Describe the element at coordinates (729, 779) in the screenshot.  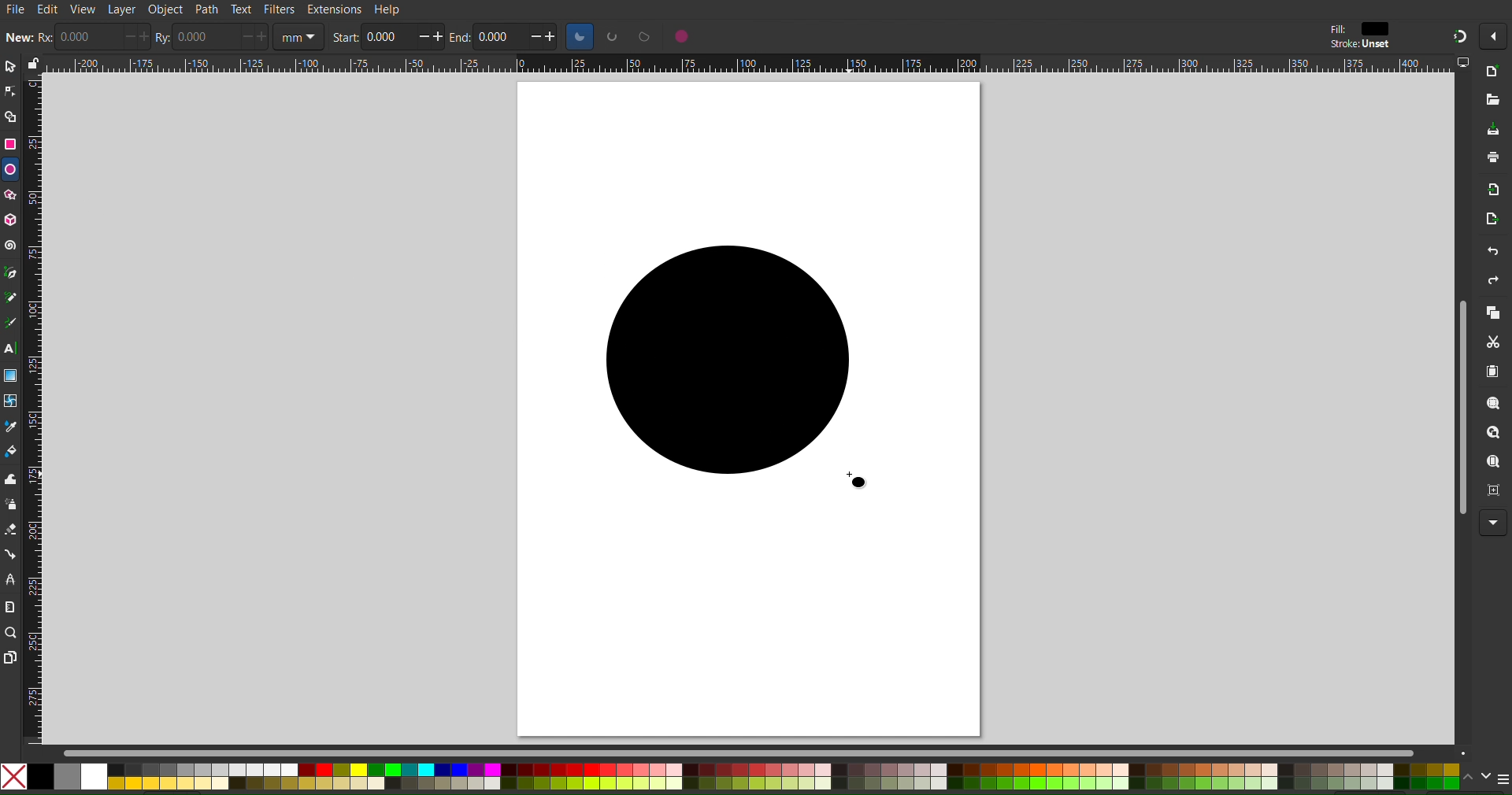
I see `` at that location.